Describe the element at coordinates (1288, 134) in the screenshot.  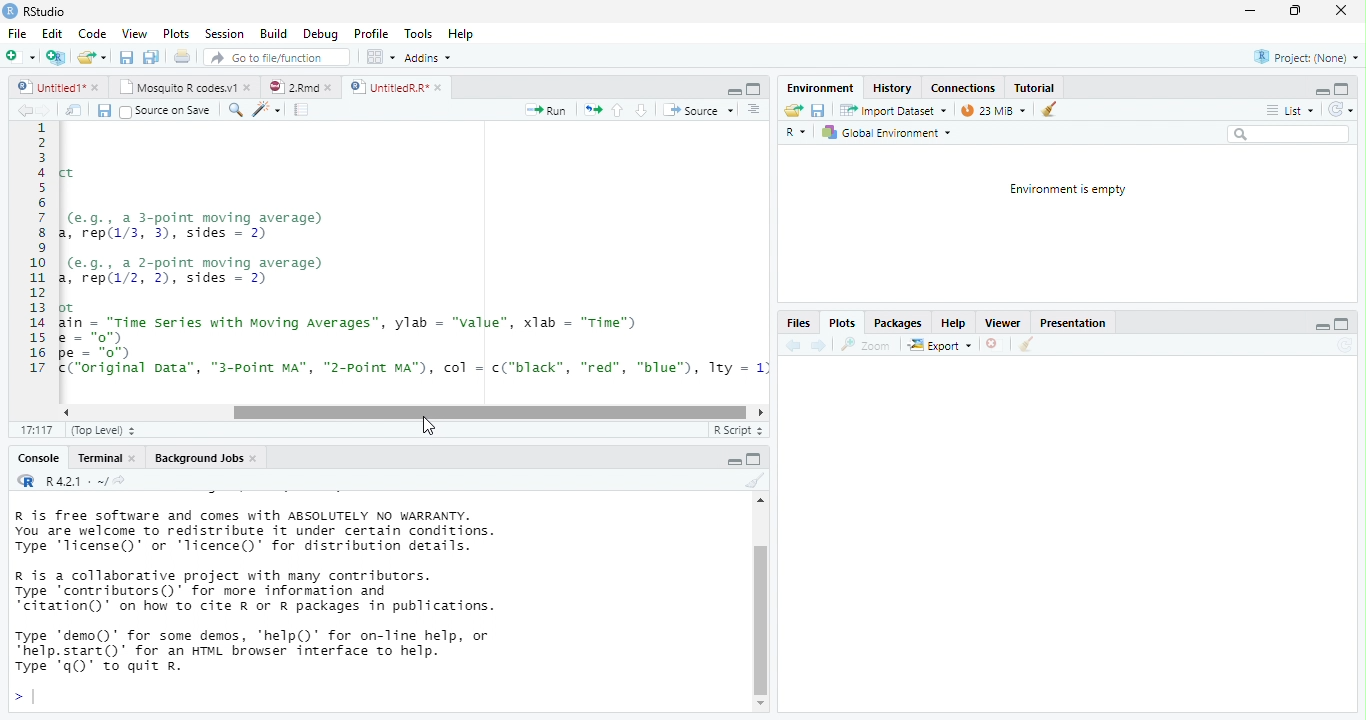
I see `search` at that location.